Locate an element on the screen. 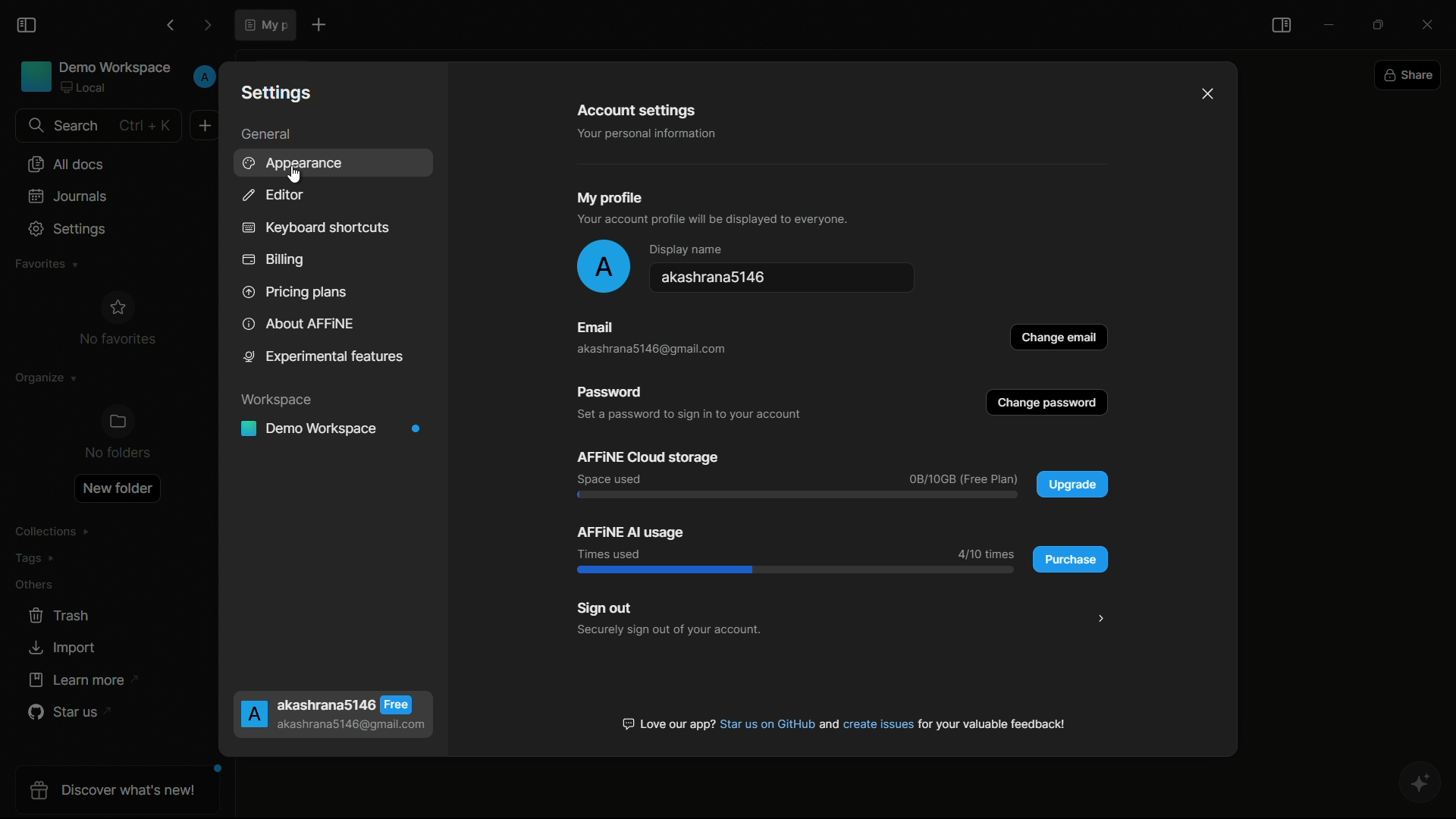 The width and height of the screenshot is (1456, 819). no favorites is located at coordinates (118, 322).